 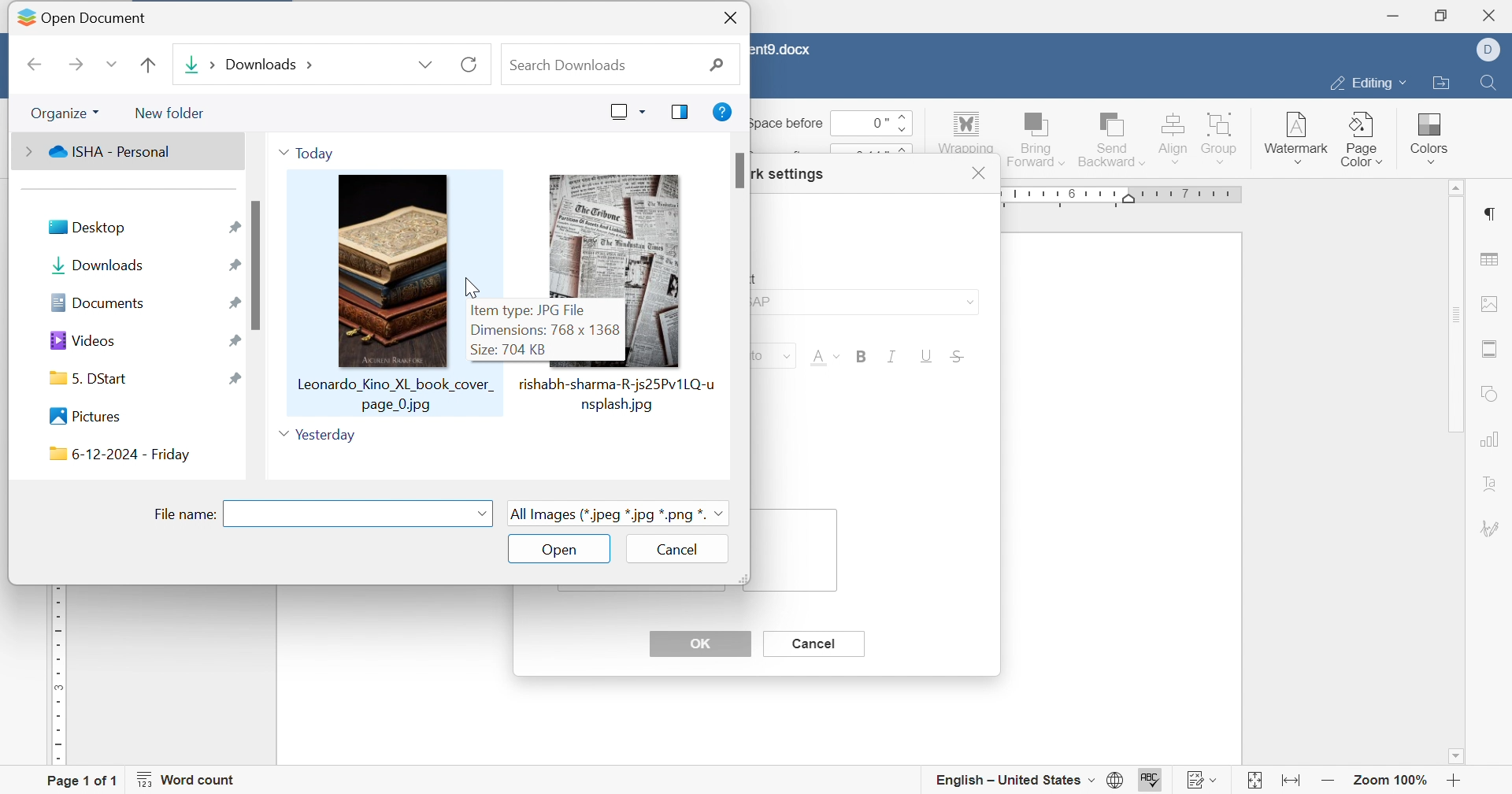 I want to click on table settings, so click(x=1489, y=261).